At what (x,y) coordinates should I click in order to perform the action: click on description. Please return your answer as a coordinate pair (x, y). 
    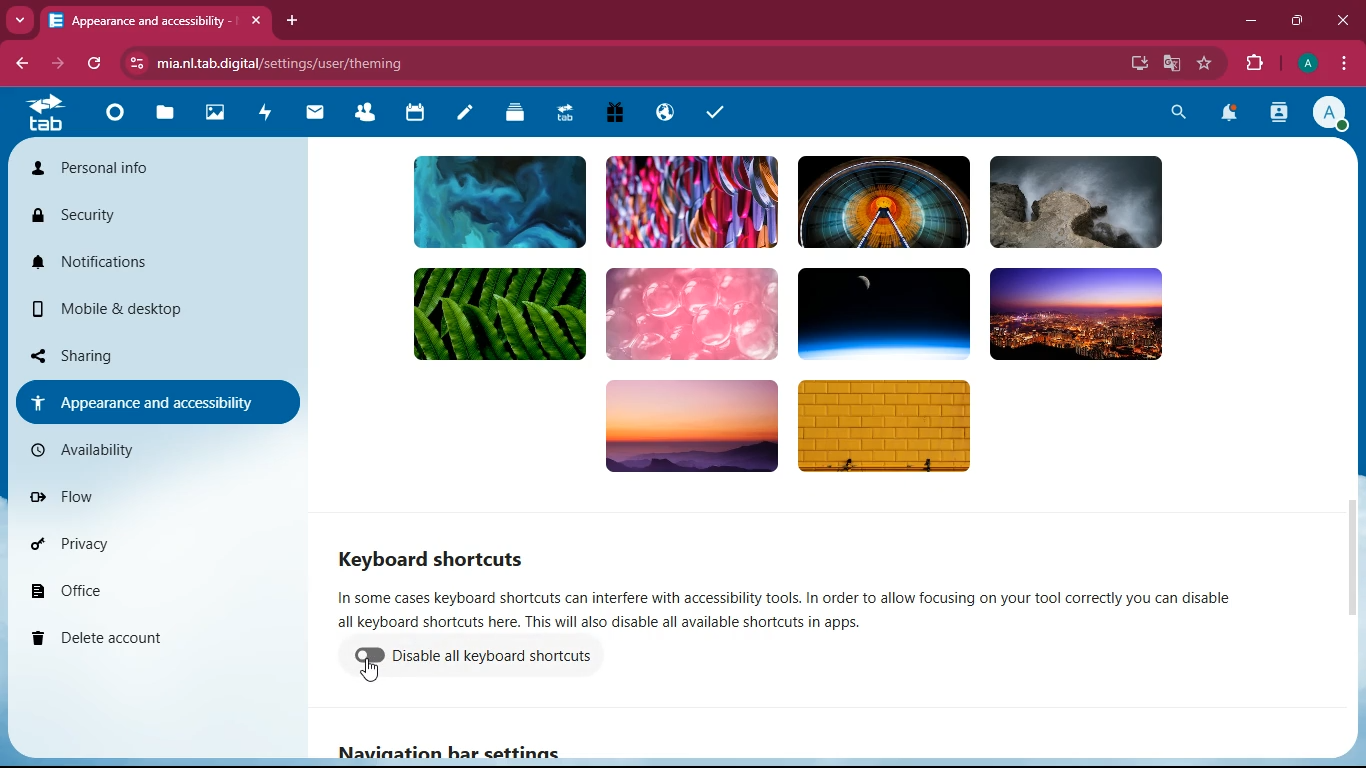
    Looking at the image, I should click on (810, 609).